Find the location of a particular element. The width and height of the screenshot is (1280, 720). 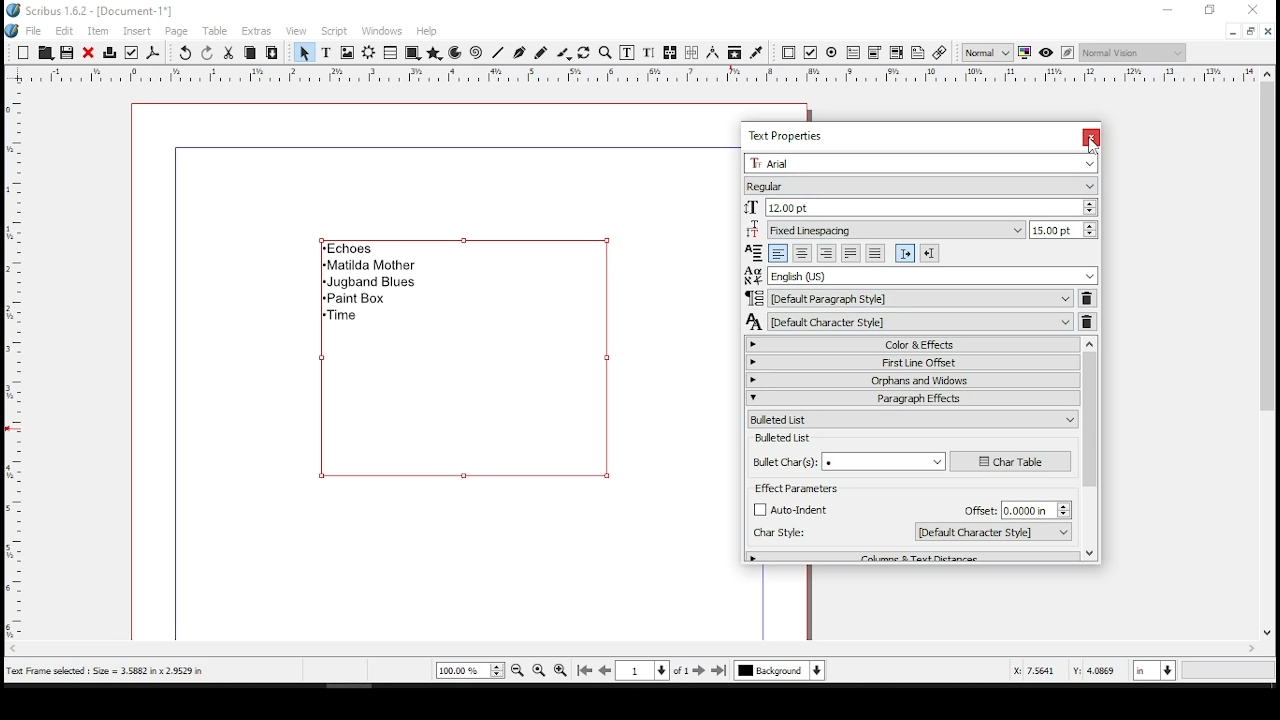

pdf list box is located at coordinates (896, 54).